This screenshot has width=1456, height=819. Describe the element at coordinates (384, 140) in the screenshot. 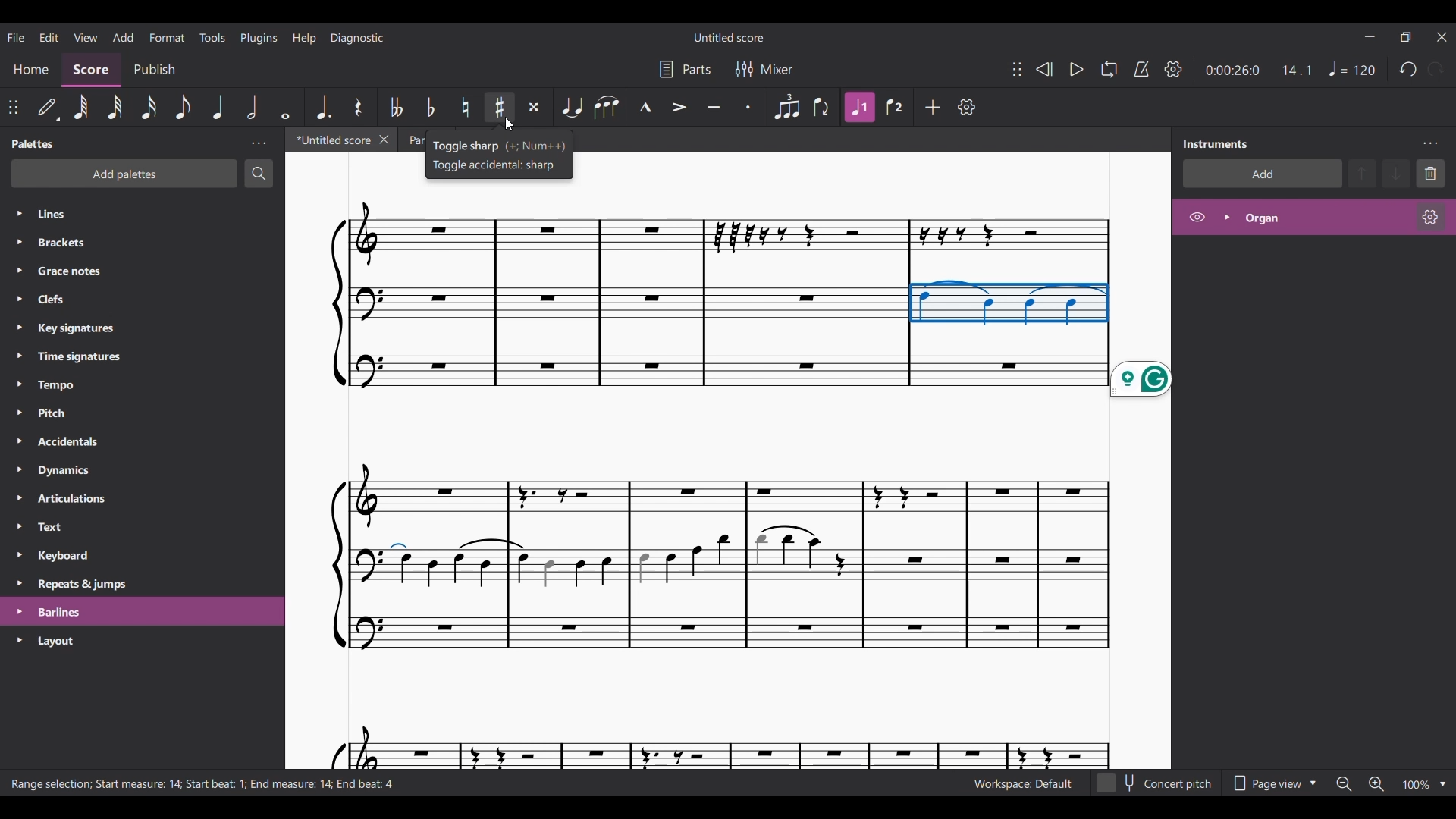

I see `Close current tab` at that location.